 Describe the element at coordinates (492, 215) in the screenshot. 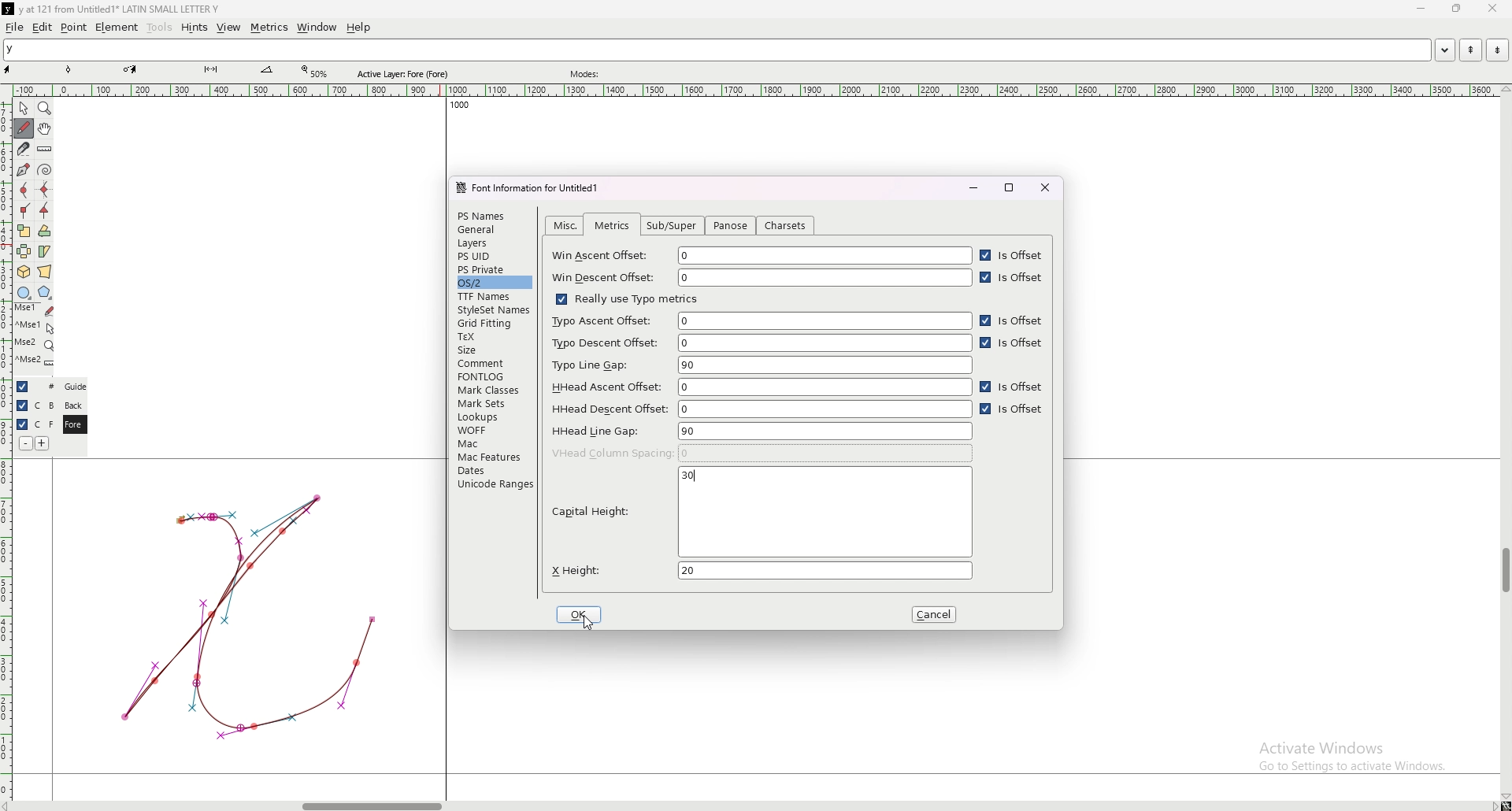

I see `ps names` at that location.